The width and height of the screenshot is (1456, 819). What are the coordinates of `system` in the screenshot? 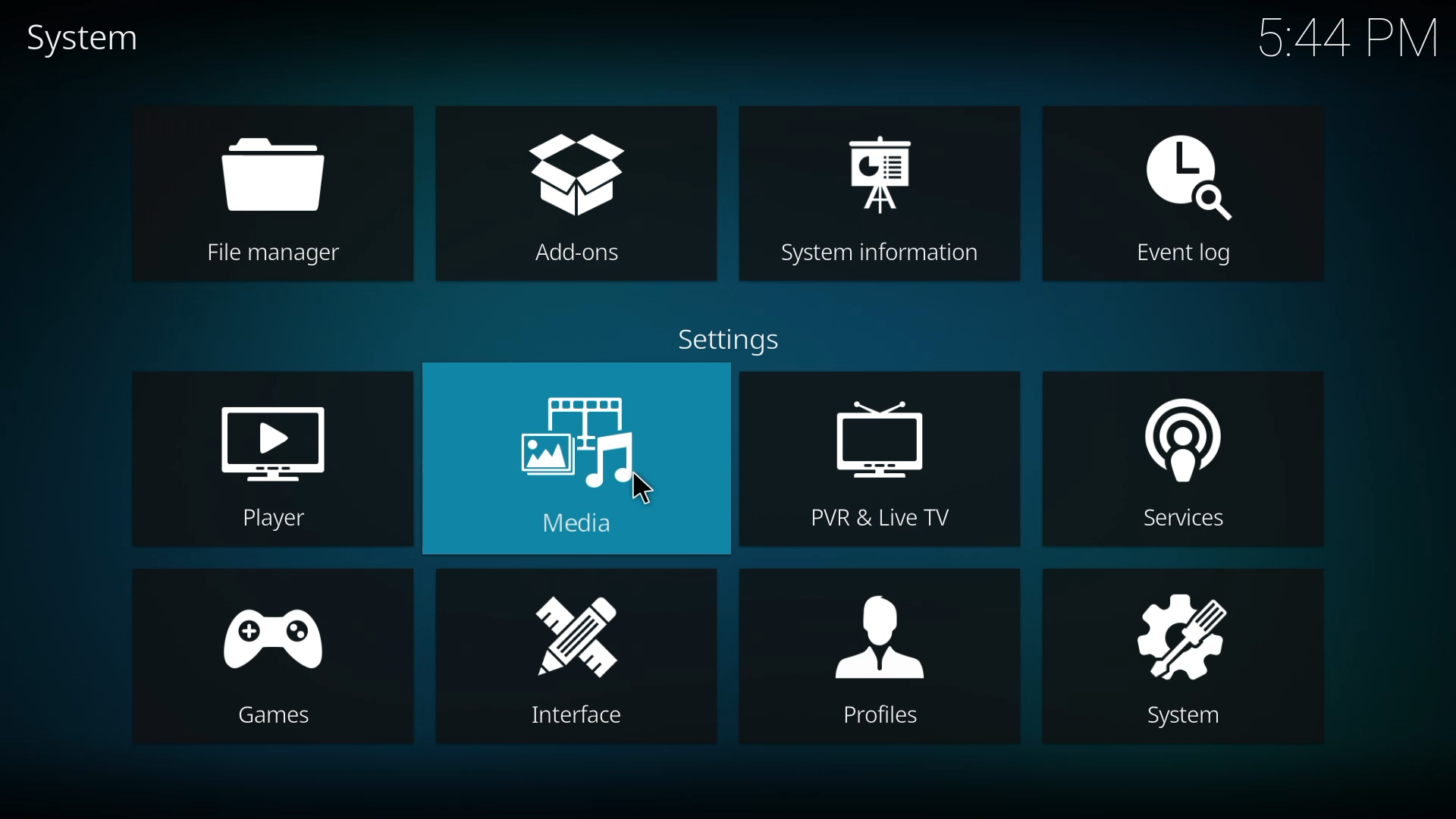 It's located at (80, 39).